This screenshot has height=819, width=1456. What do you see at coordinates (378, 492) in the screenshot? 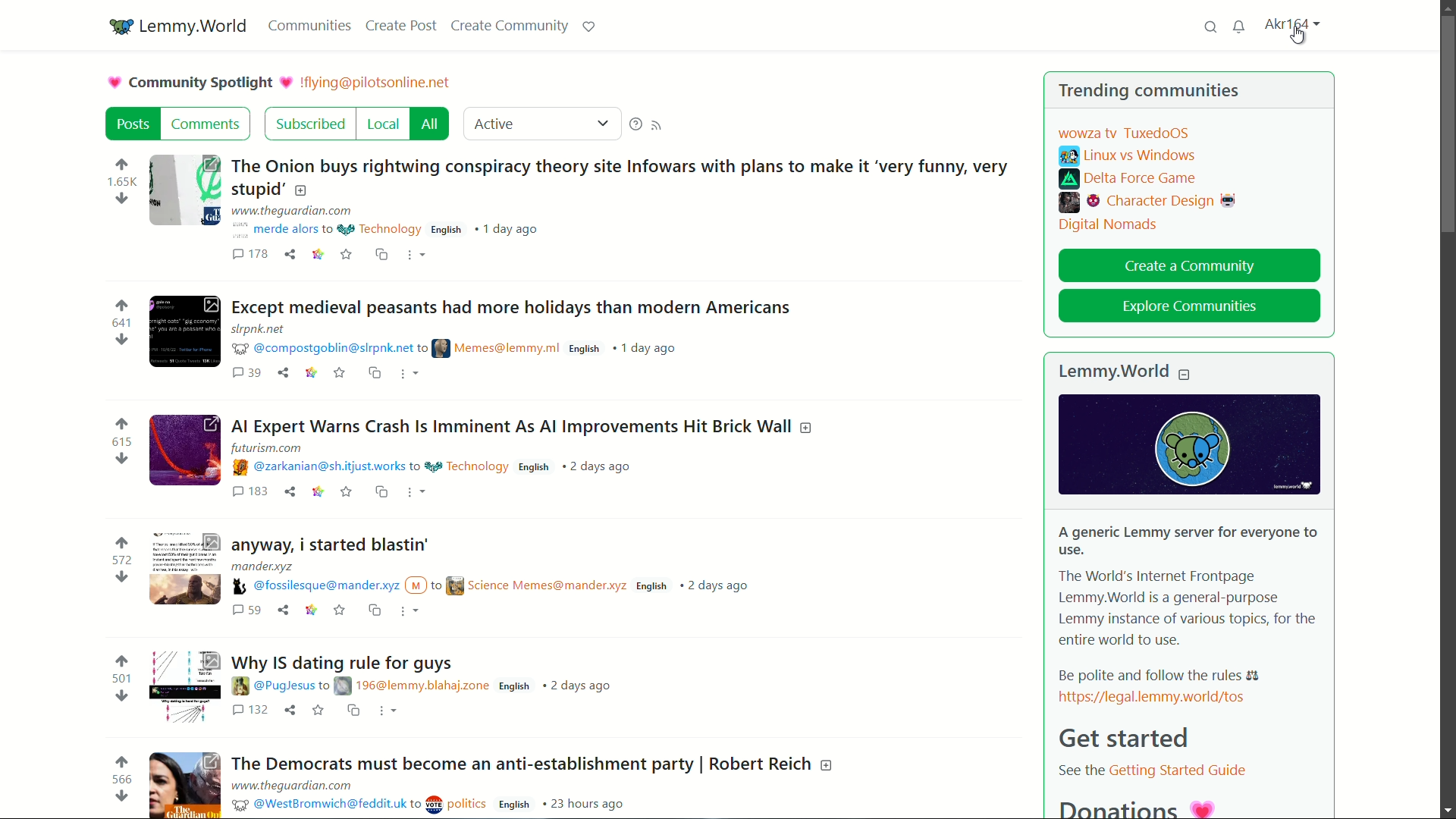
I see `cs` at bounding box center [378, 492].